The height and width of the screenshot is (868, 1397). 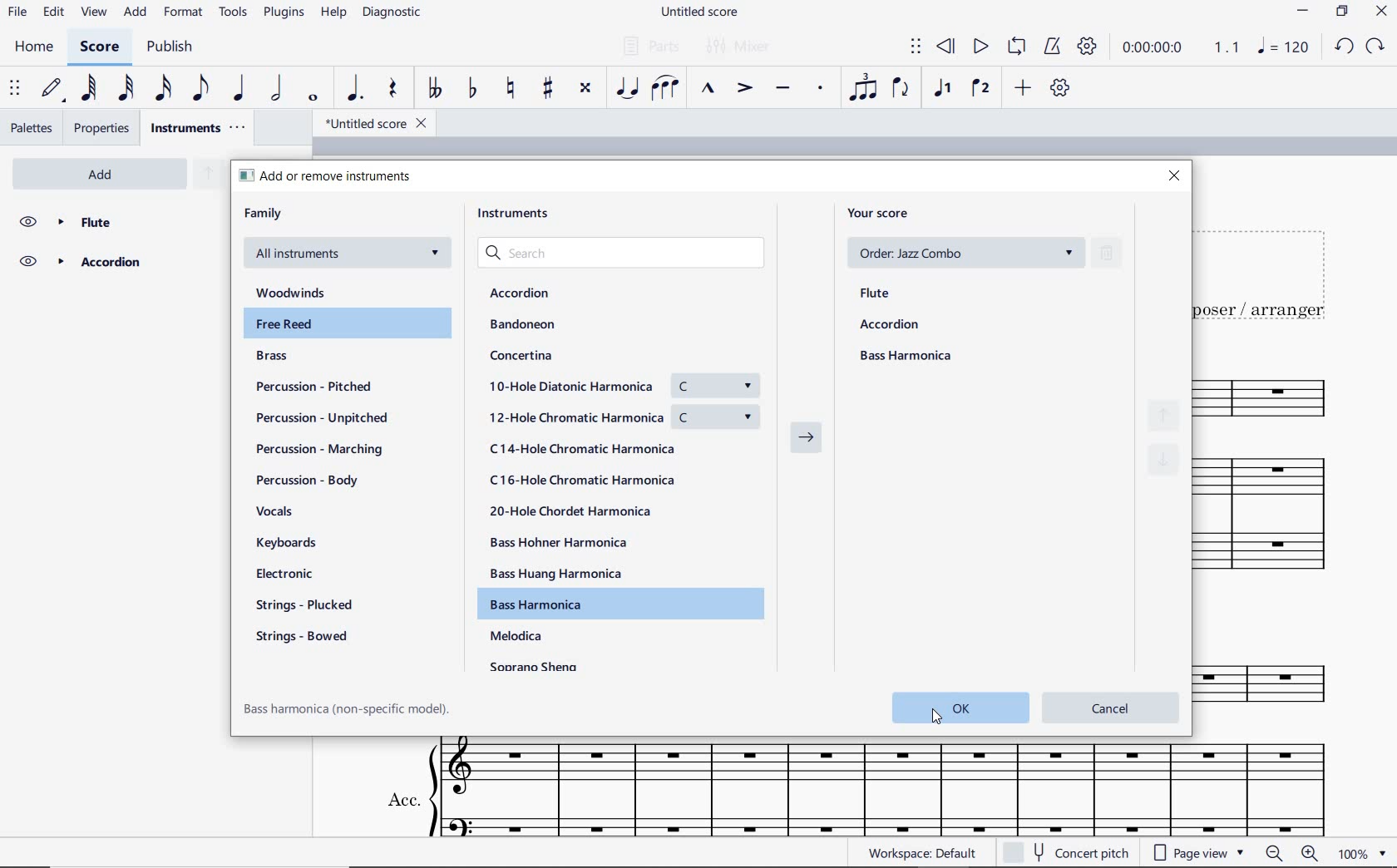 What do you see at coordinates (931, 717) in the screenshot?
I see `cursor` at bounding box center [931, 717].